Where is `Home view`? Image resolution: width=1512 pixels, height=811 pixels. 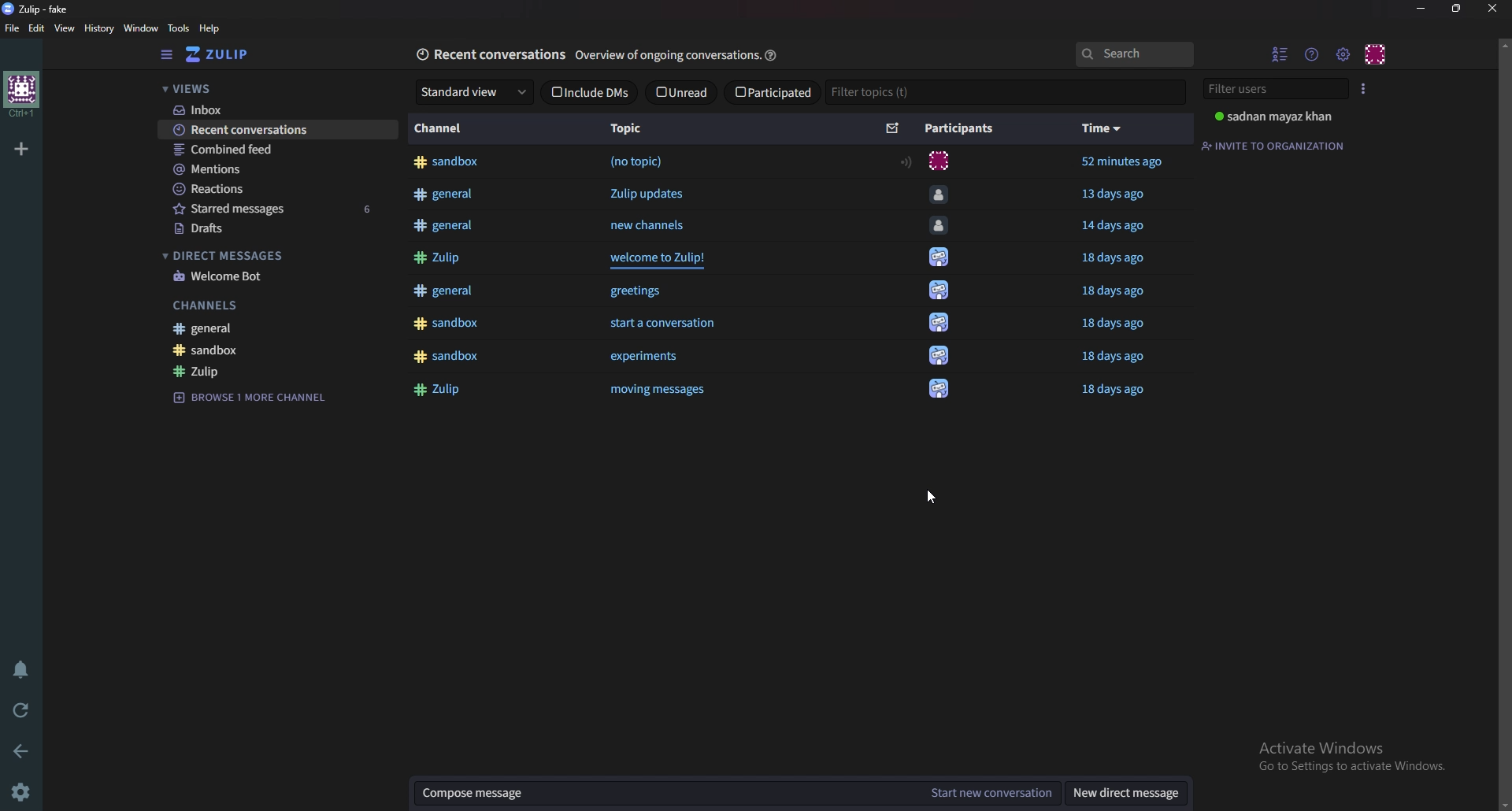 Home view is located at coordinates (232, 54).